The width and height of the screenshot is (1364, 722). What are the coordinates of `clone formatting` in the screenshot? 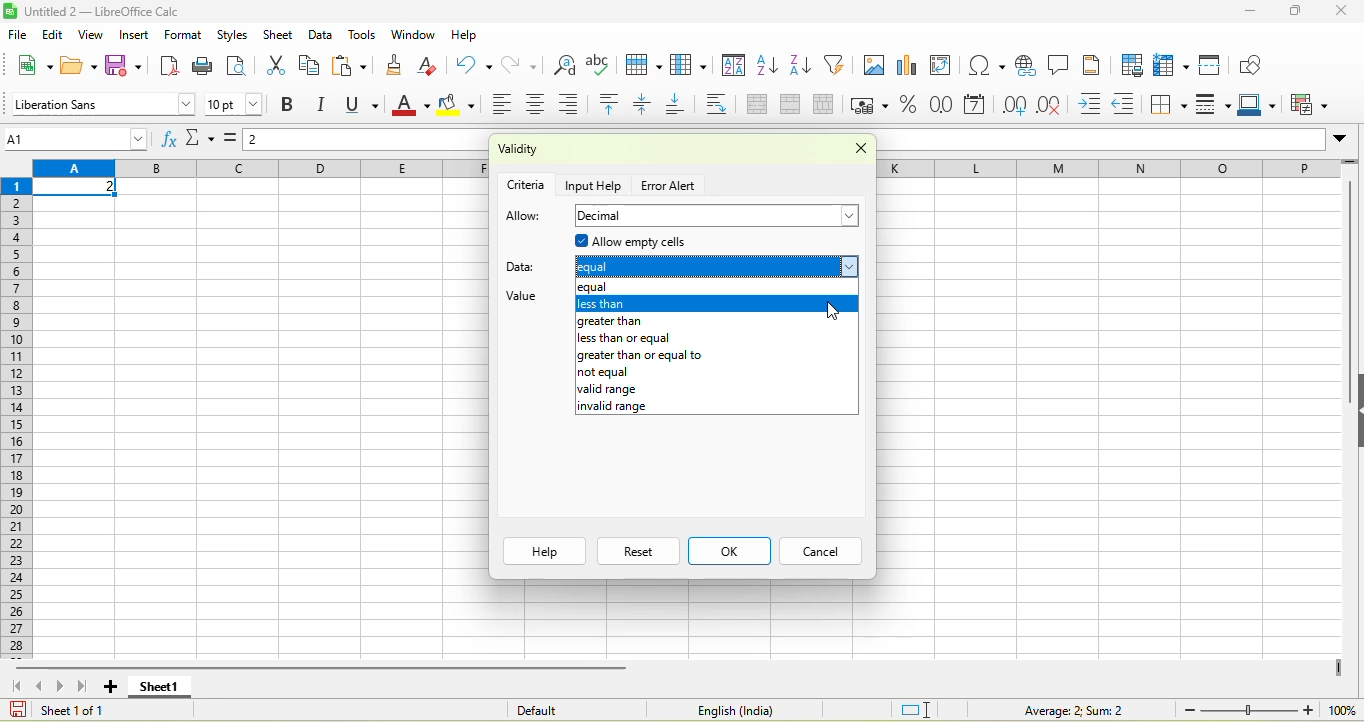 It's located at (400, 64).